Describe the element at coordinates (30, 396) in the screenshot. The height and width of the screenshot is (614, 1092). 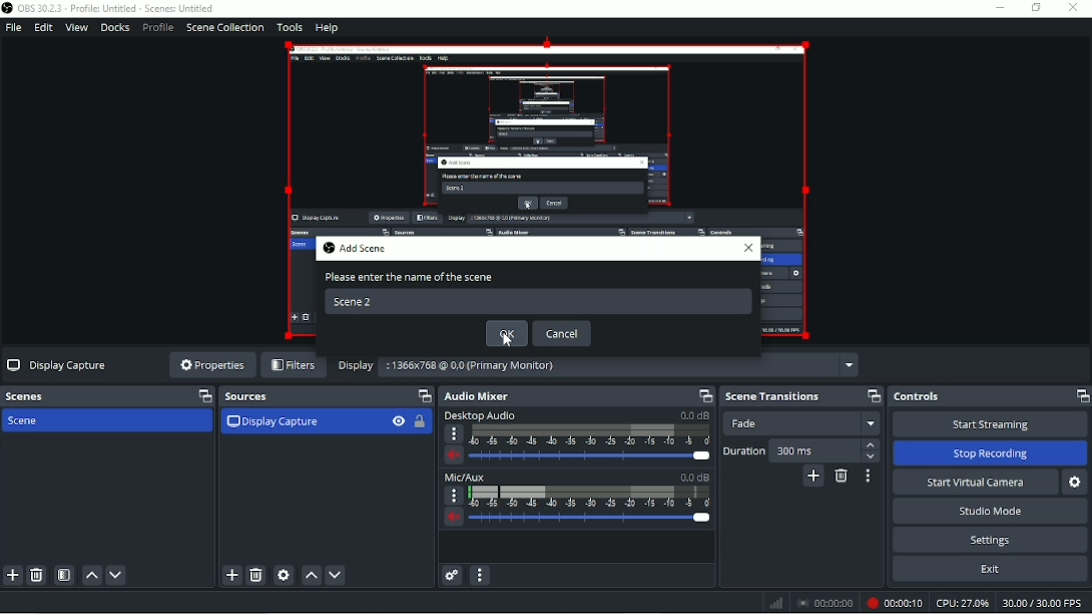
I see `Scenes` at that location.